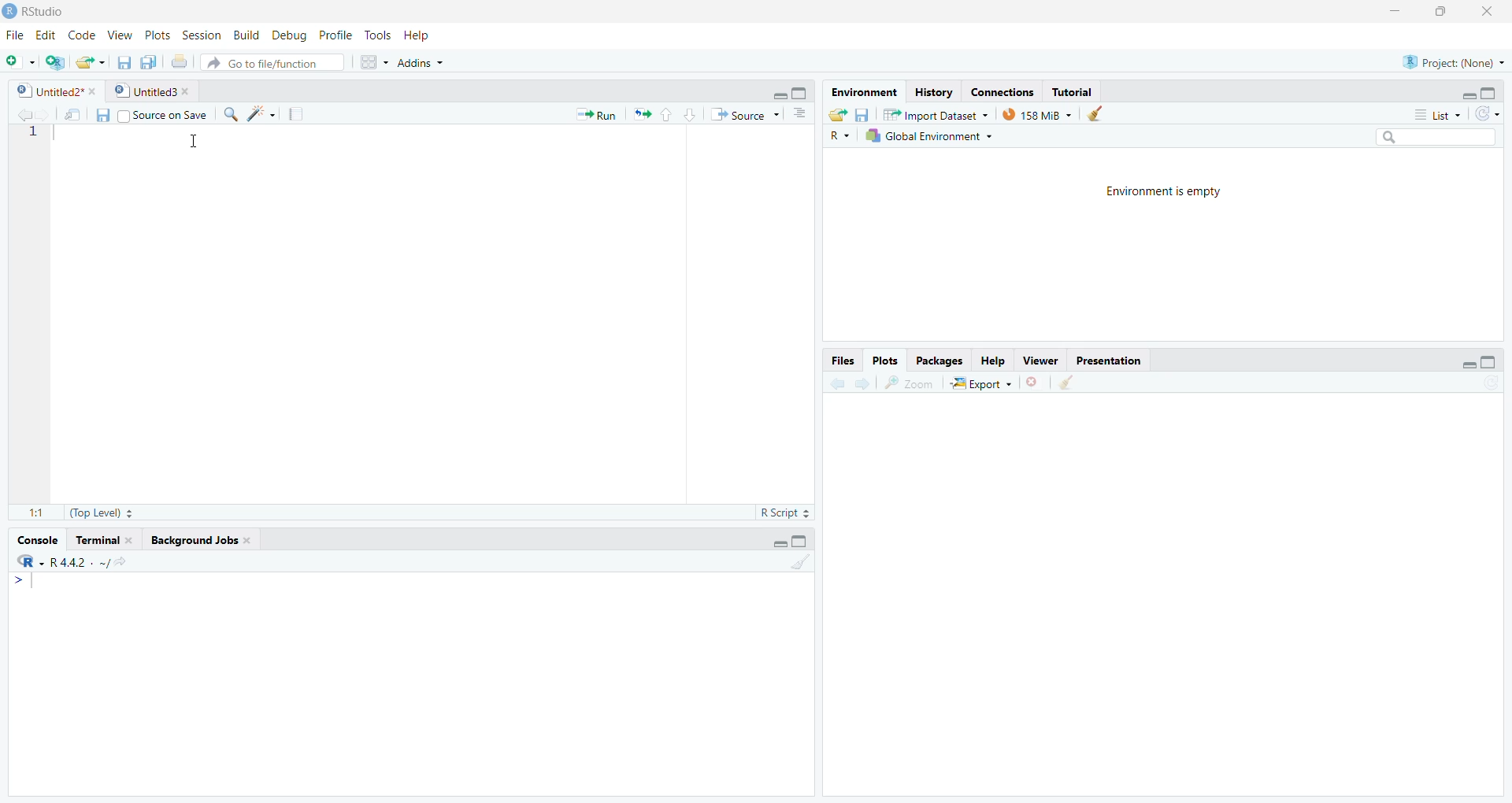 Image resolution: width=1512 pixels, height=803 pixels. I want to click on maximize, so click(1443, 12).